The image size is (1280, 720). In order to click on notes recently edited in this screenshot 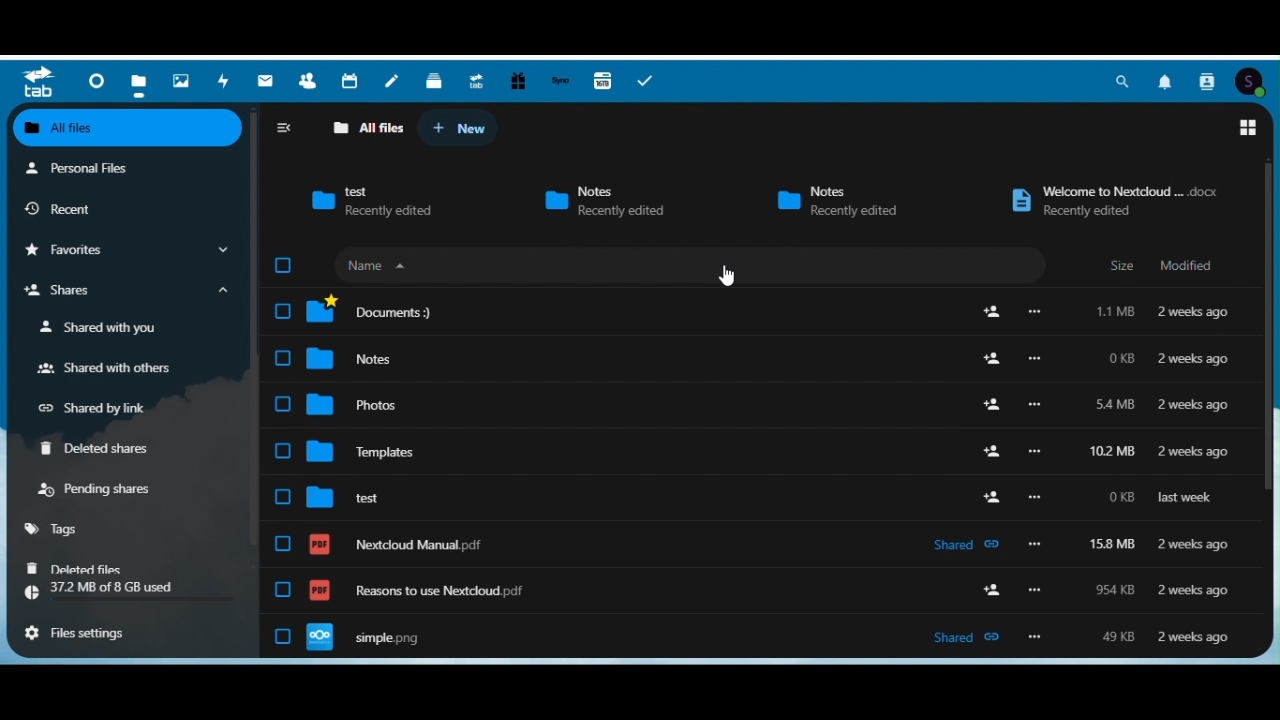, I will do `click(837, 198)`.